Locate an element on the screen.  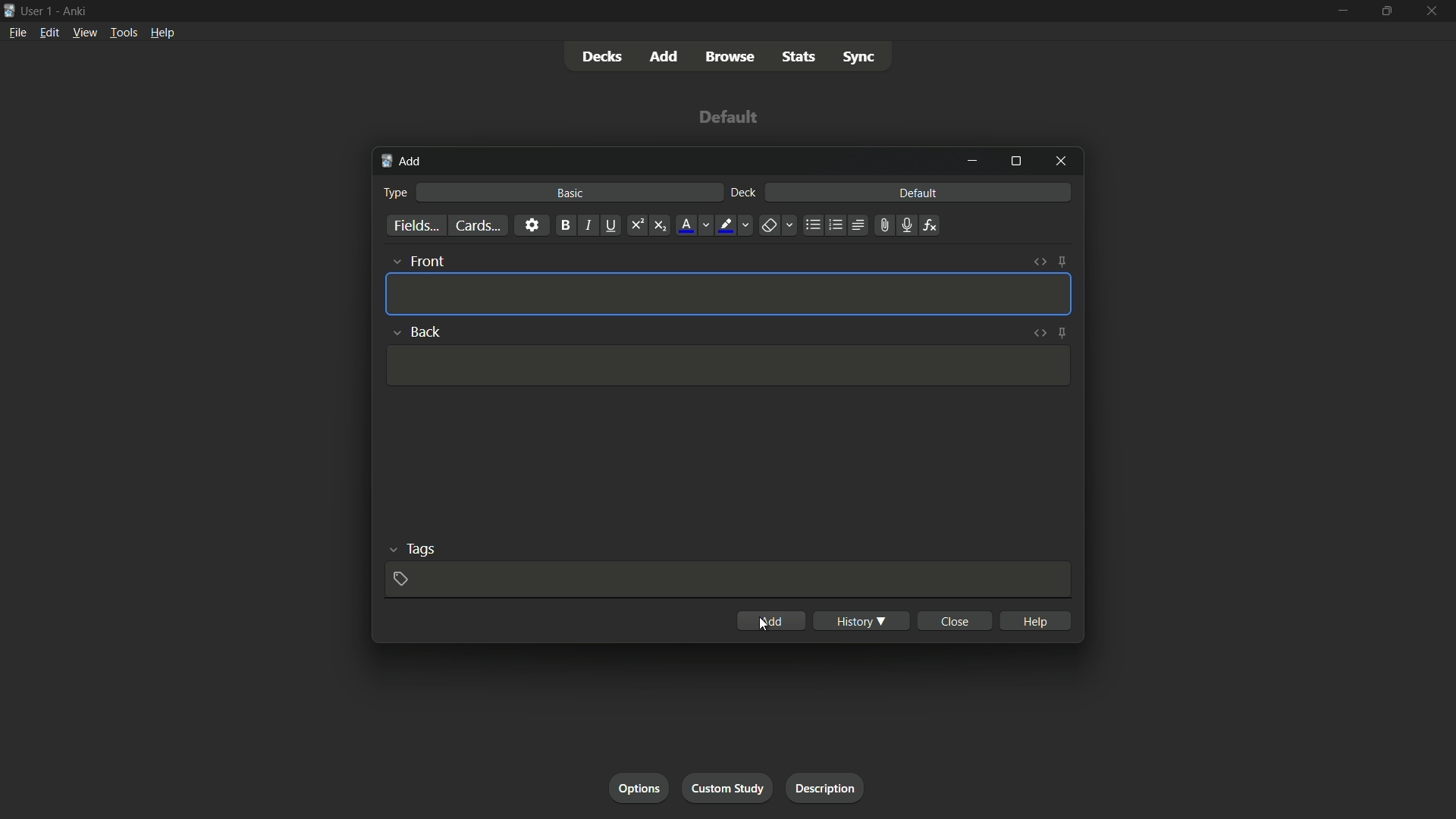
help is located at coordinates (1036, 621).